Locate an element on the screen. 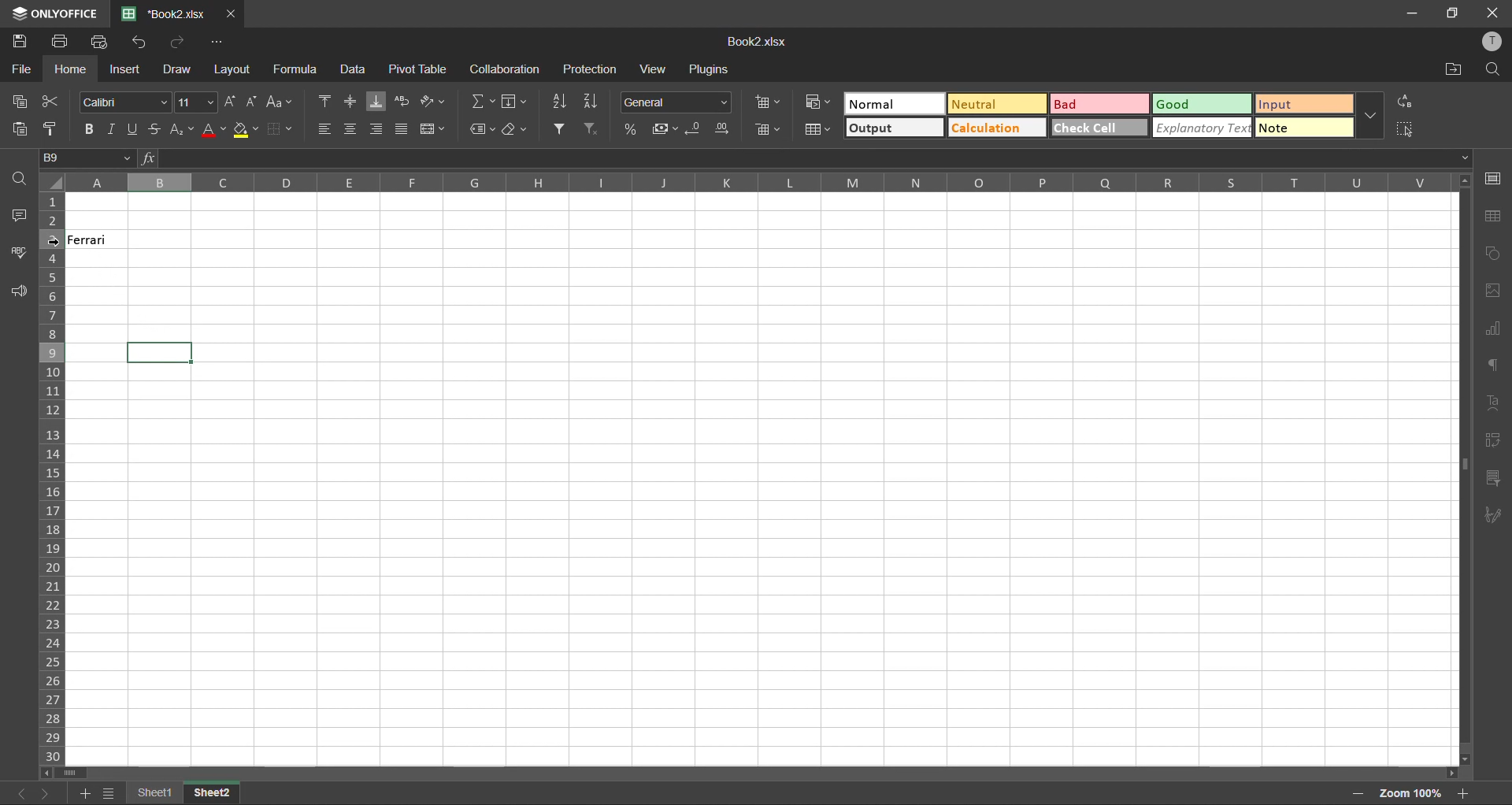 Image resolution: width=1512 pixels, height=805 pixels. slicer is located at coordinates (1496, 477).